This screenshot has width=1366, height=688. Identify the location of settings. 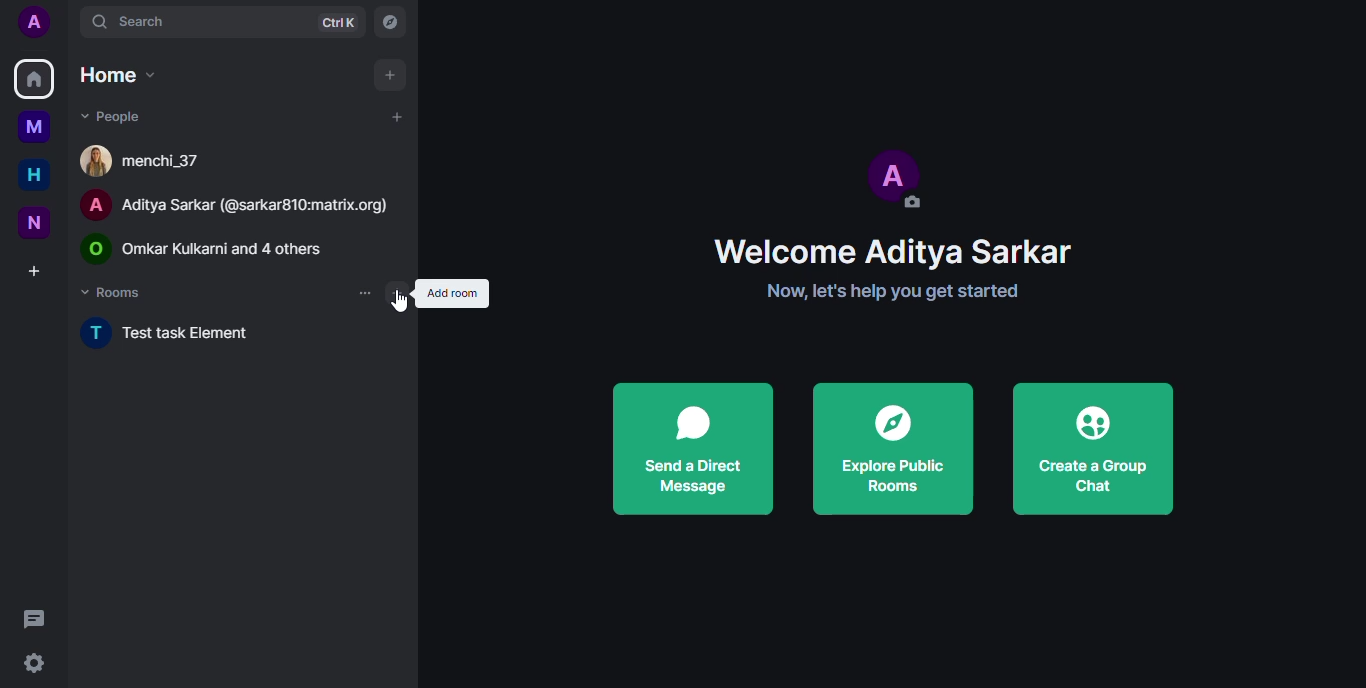
(37, 663).